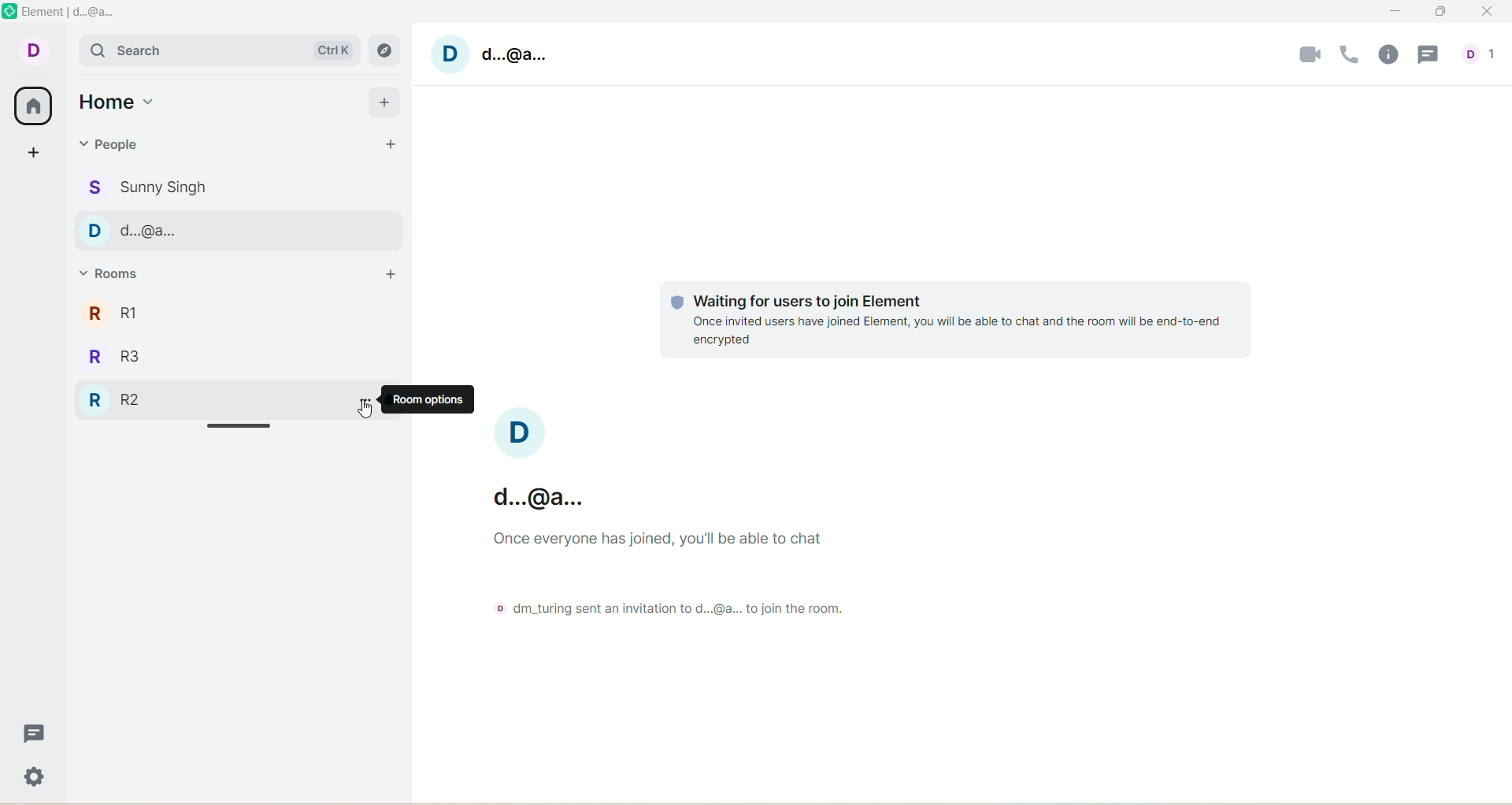 The image size is (1512, 805). I want to click on home, so click(120, 99).